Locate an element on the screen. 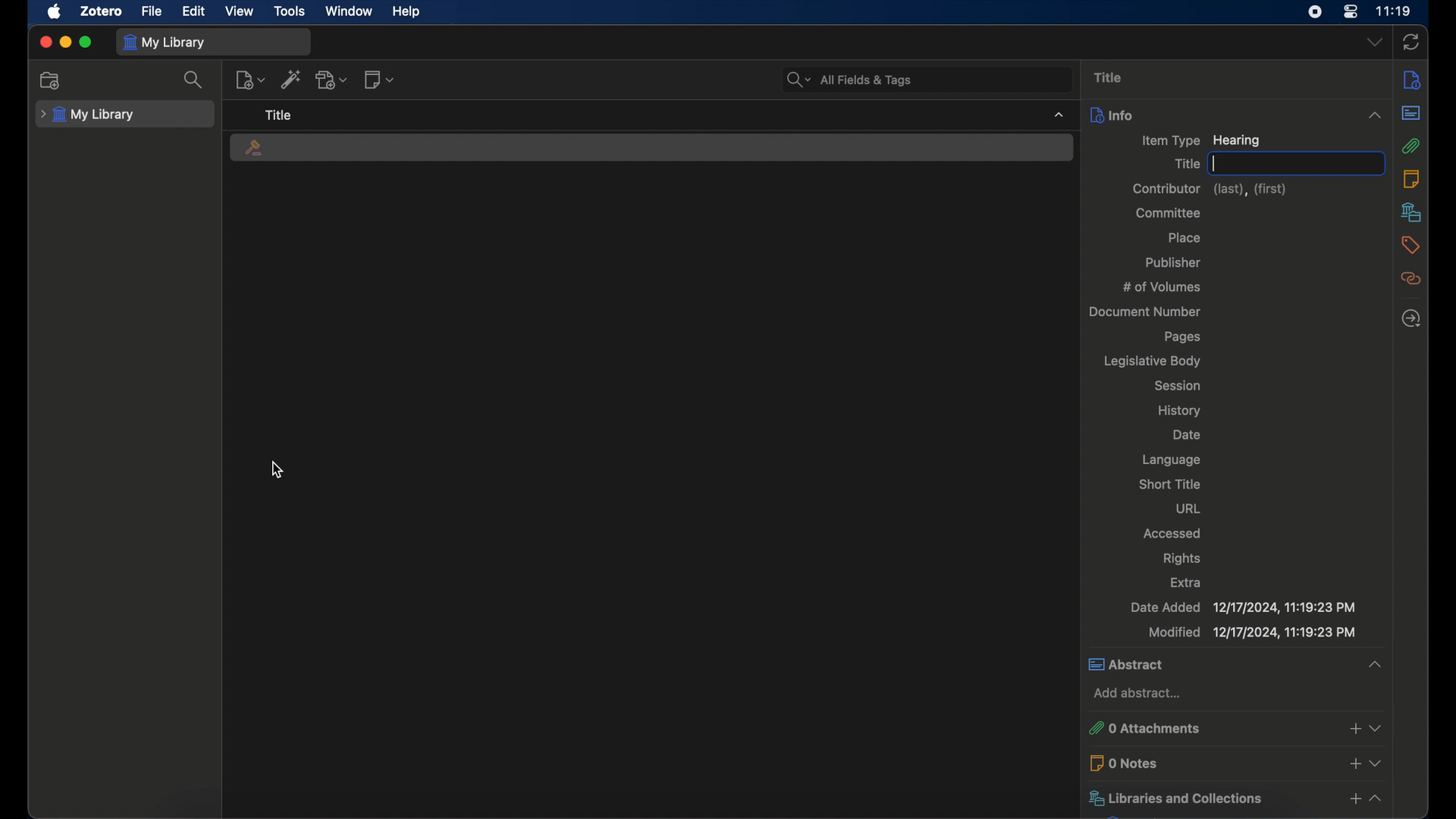 The width and height of the screenshot is (1456, 819). add item by identifier is located at coordinates (291, 79).